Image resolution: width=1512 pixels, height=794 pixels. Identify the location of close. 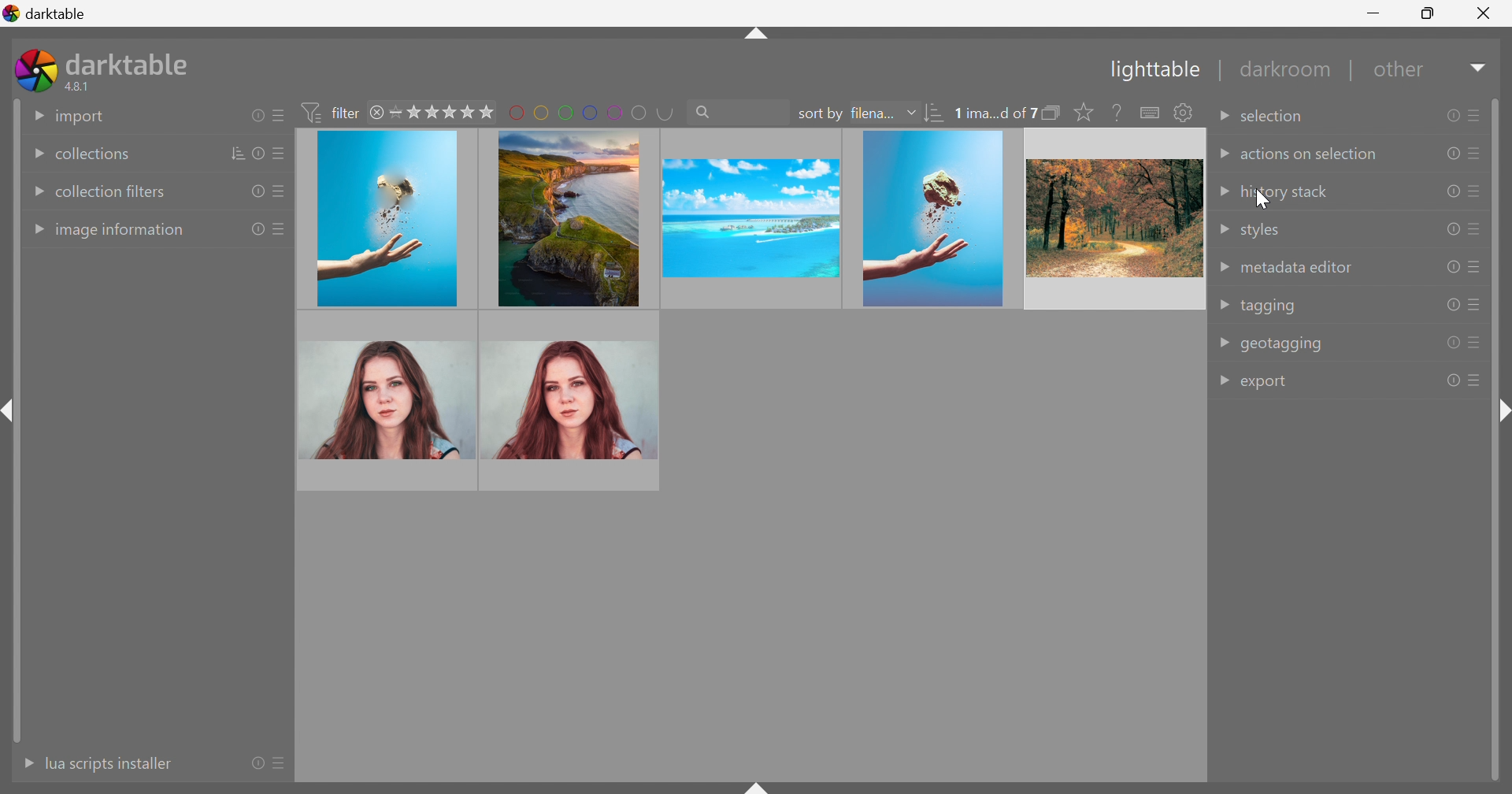
(379, 114).